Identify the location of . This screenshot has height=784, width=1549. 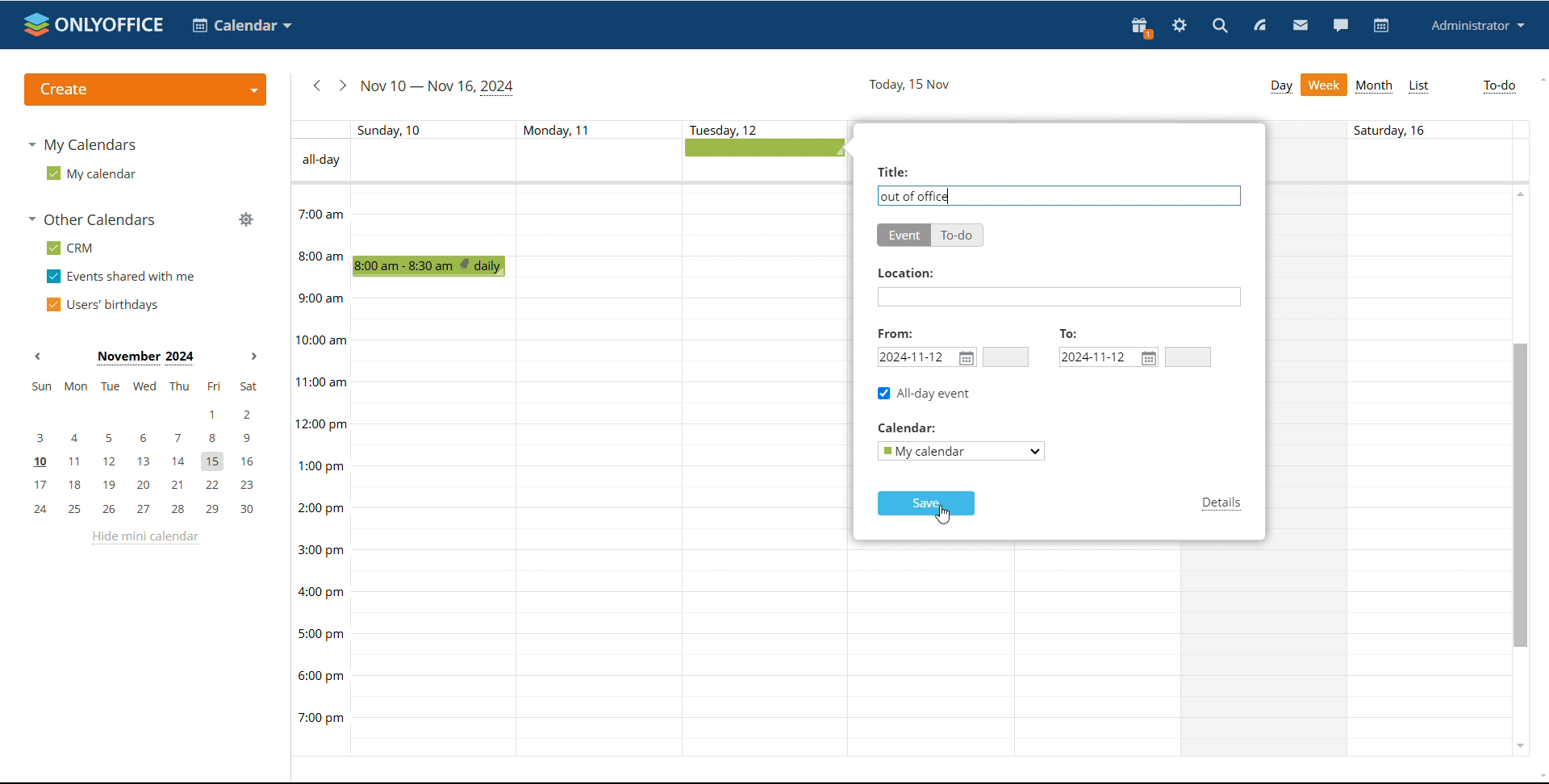
(908, 332).